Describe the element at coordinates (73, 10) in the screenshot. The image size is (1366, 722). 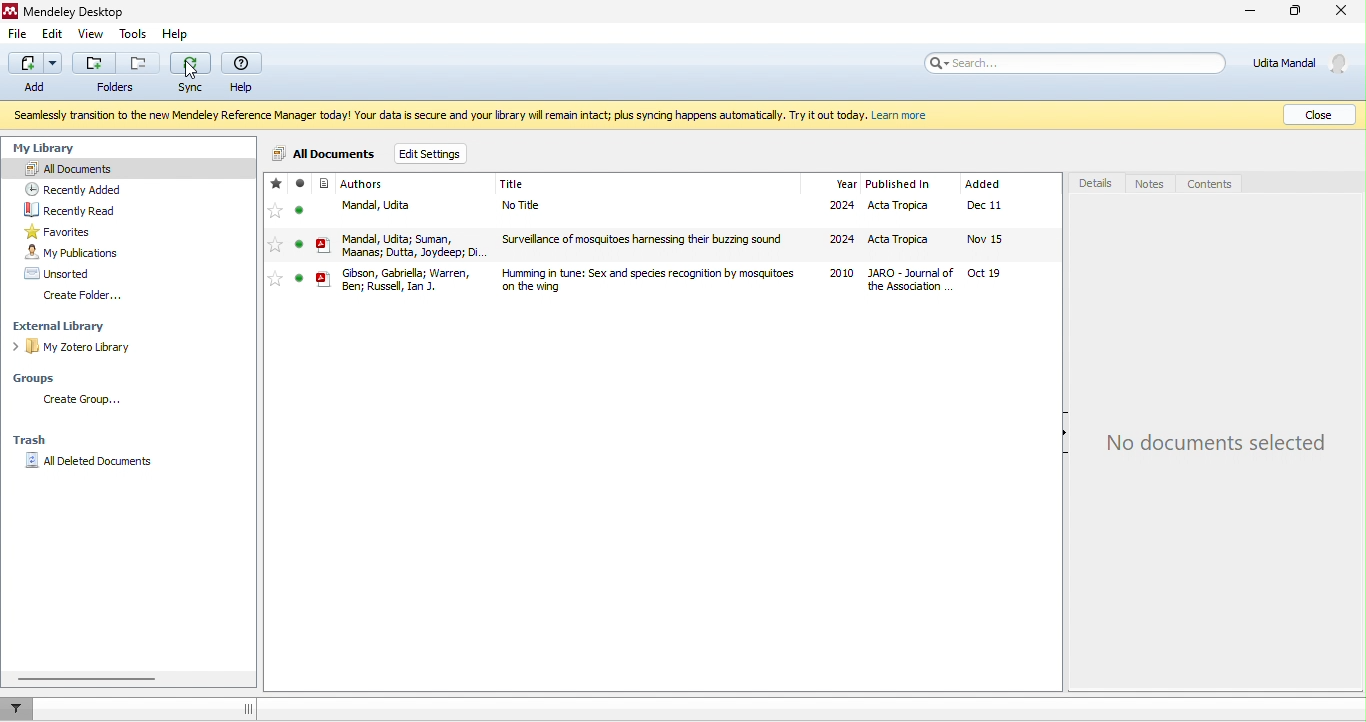
I see `mendeley desktop` at that location.